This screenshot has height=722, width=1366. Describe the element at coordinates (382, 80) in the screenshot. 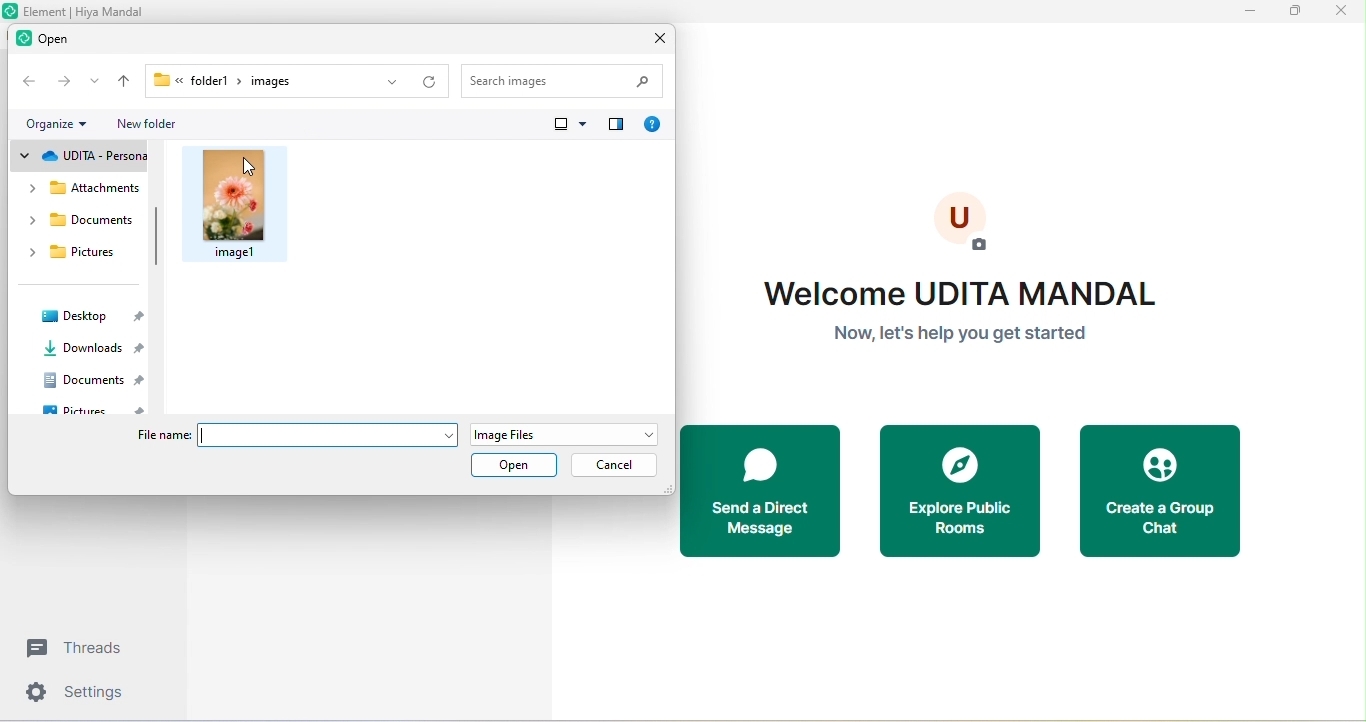

I see `previous location` at that location.